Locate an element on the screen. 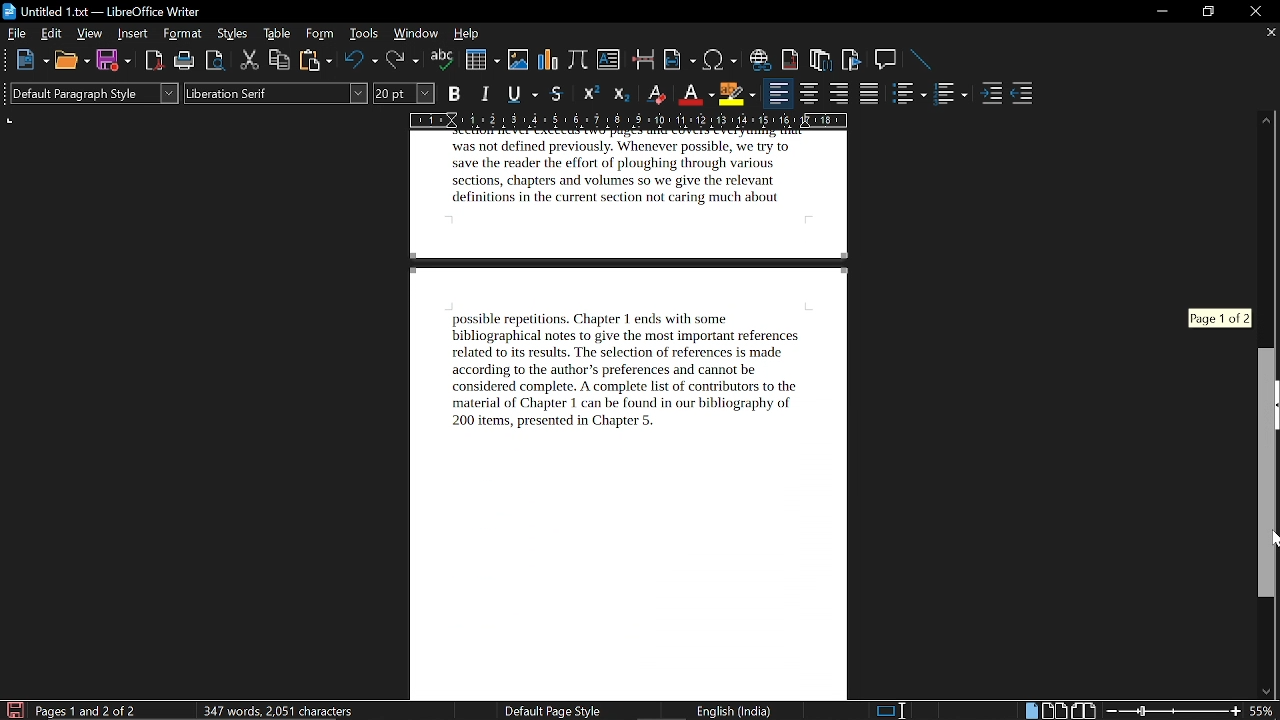  window is located at coordinates (416, 33).